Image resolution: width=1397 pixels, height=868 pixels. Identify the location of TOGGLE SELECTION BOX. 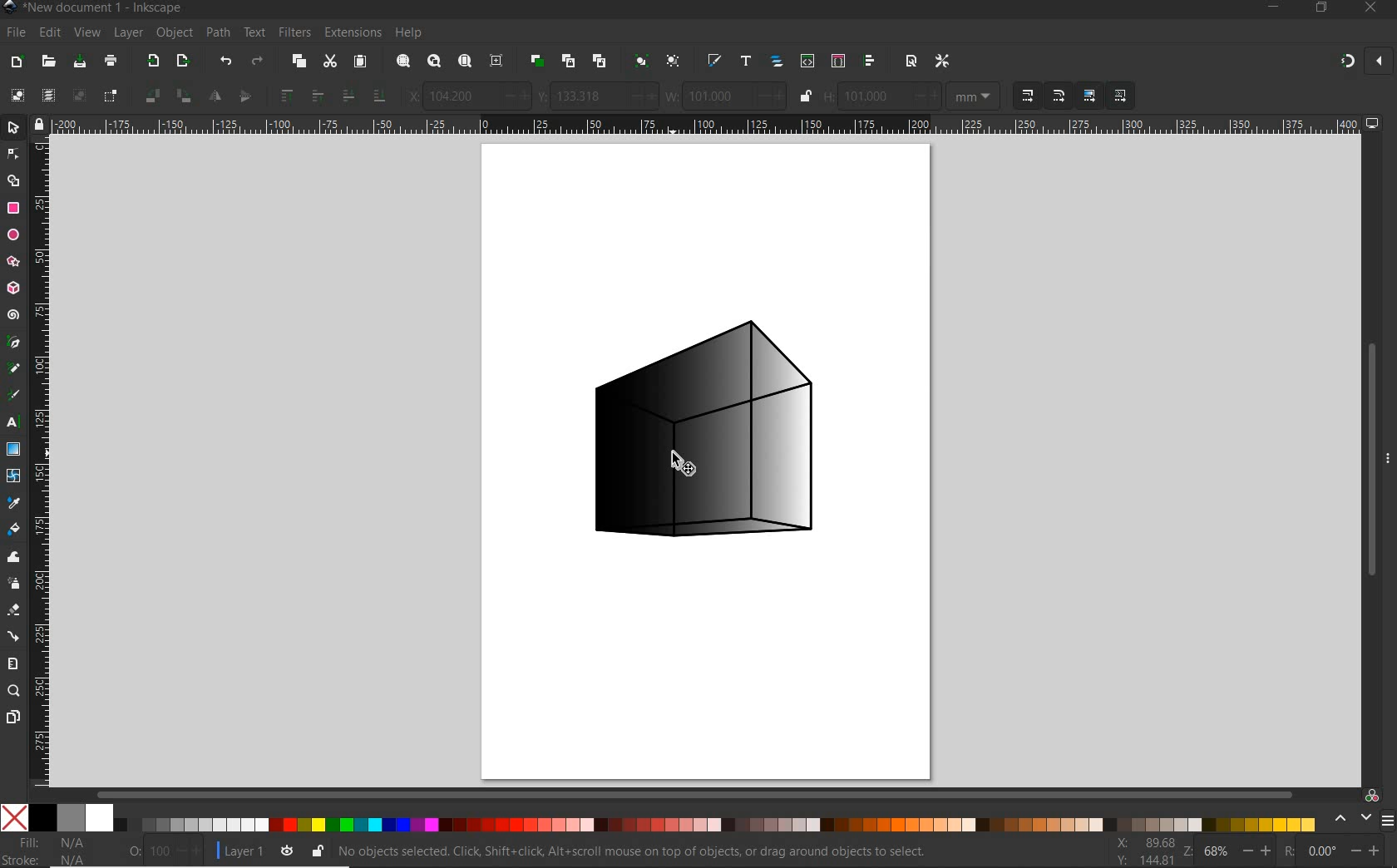
(111, 95).